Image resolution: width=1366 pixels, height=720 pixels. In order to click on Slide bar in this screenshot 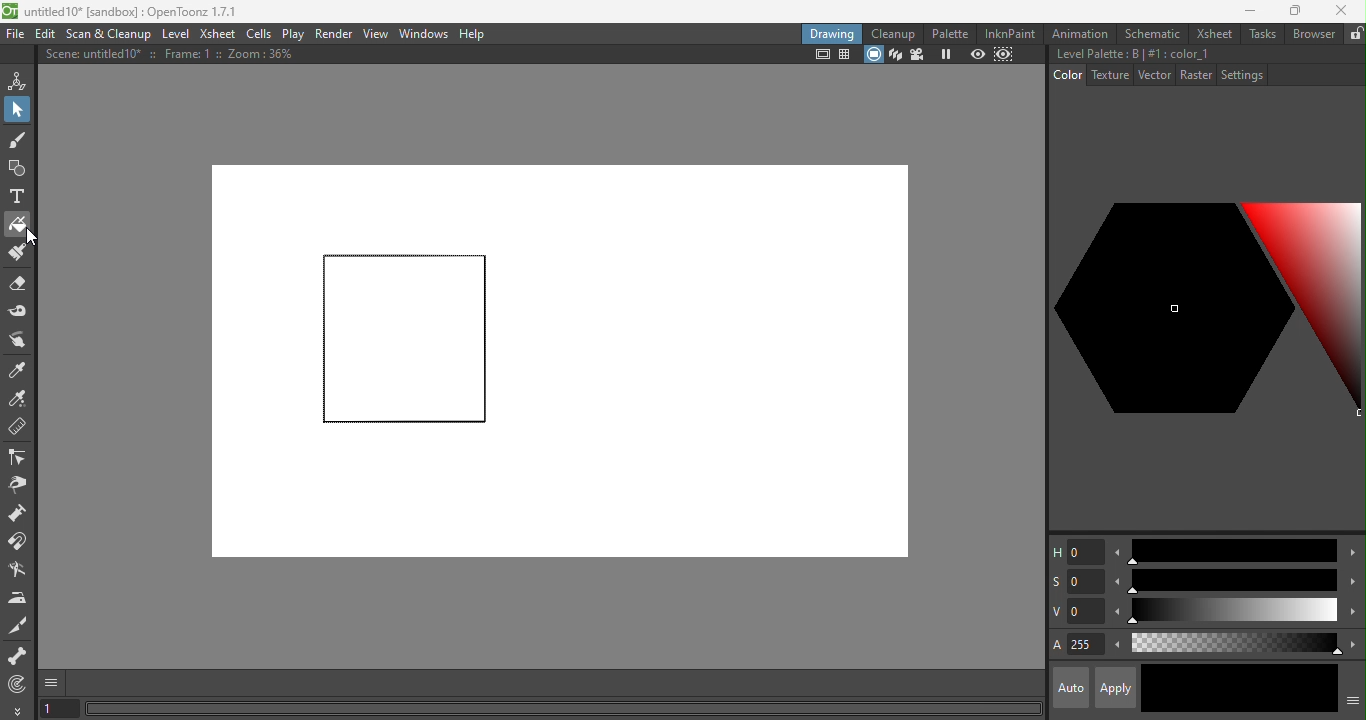, I will do `click(1232, 612)`.